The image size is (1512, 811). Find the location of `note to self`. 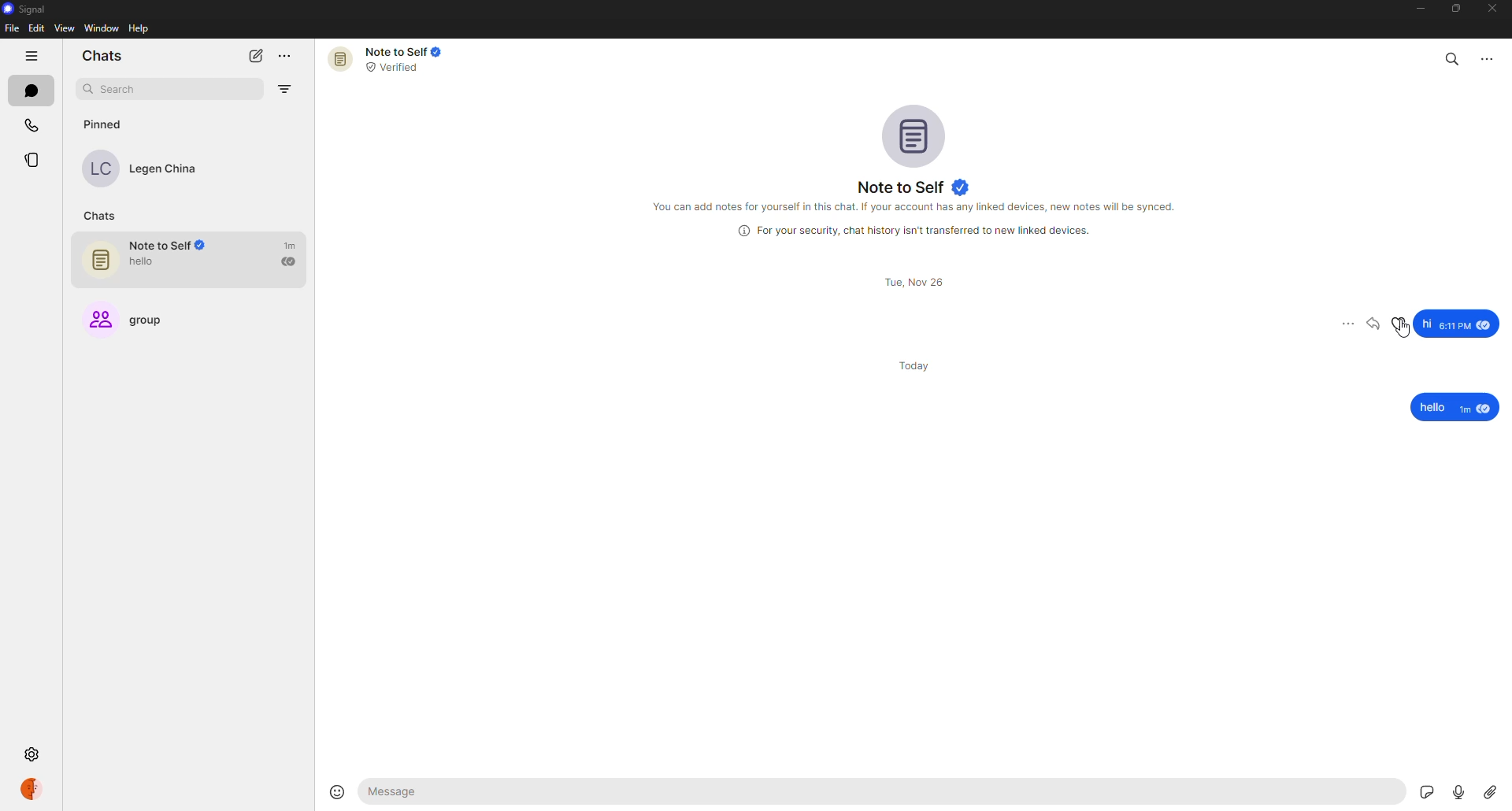

note to self is located at coordinates (391, 58).